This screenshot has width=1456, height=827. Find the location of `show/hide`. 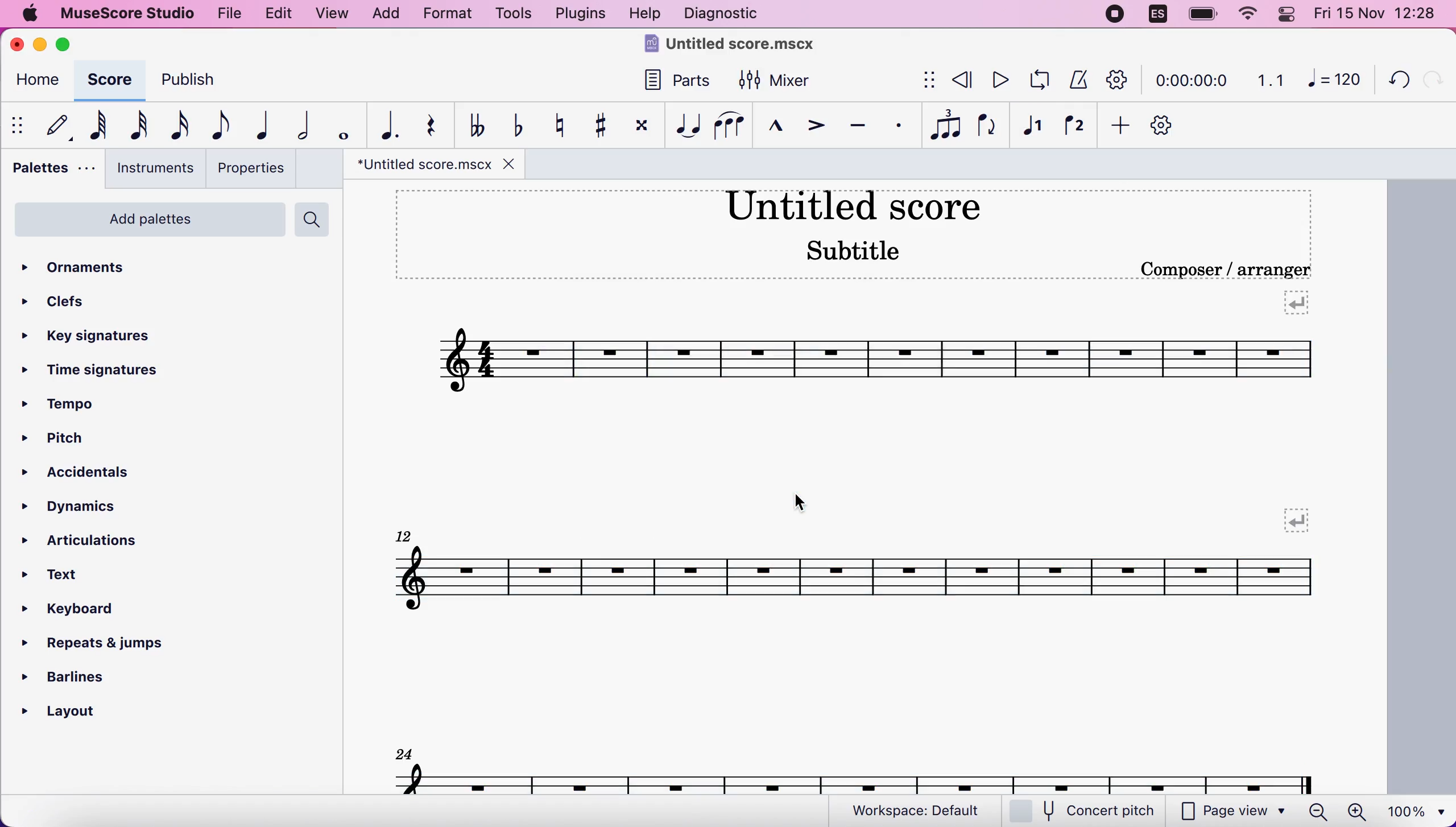

show/hide is located at coordinates (926, 81).